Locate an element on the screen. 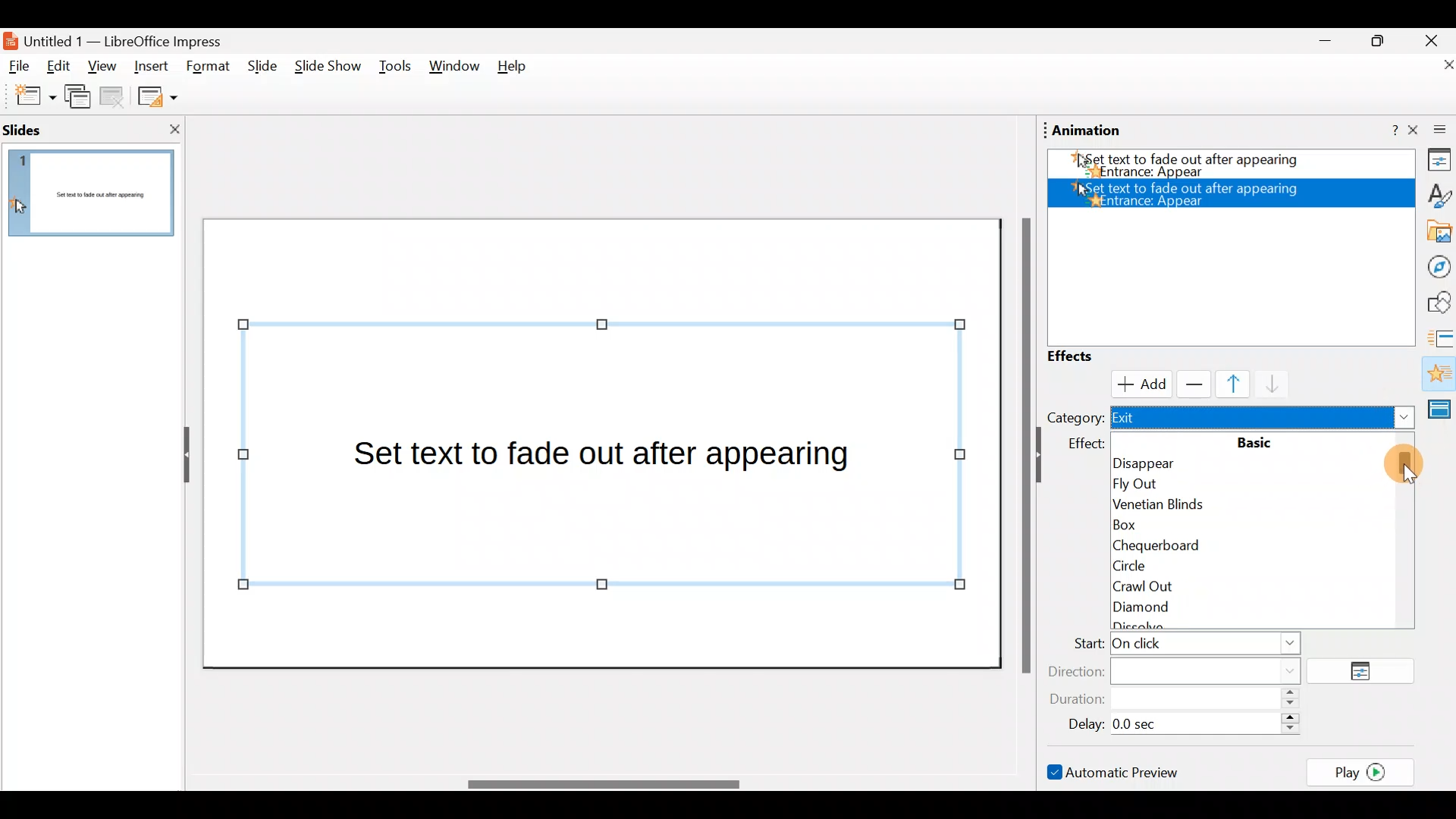 This screenshot has height=819, width=1456. Slide pane is located at coordinates (95, 196).